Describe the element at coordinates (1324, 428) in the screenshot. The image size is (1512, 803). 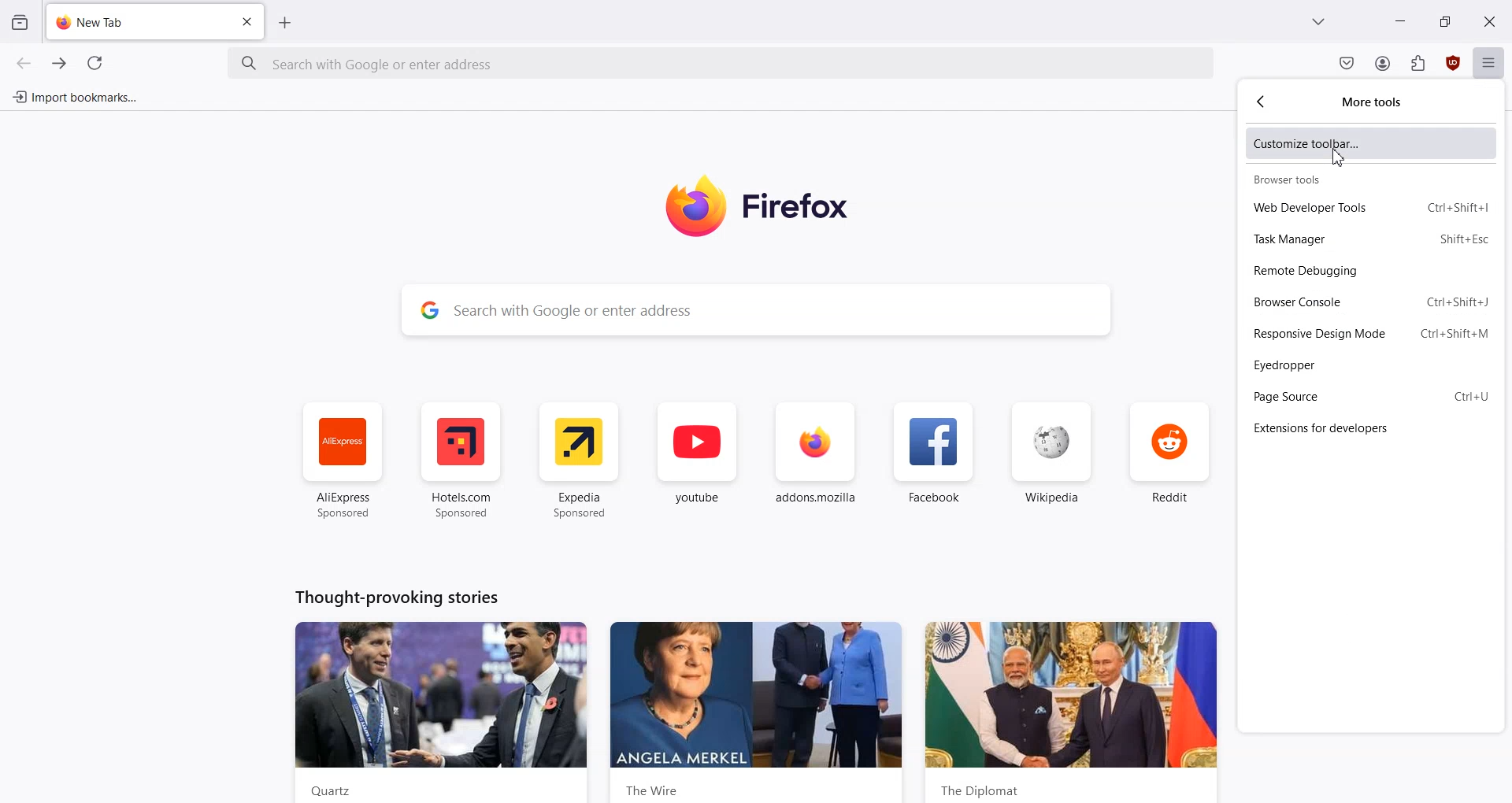
I see `Extensions for developers` at that location.